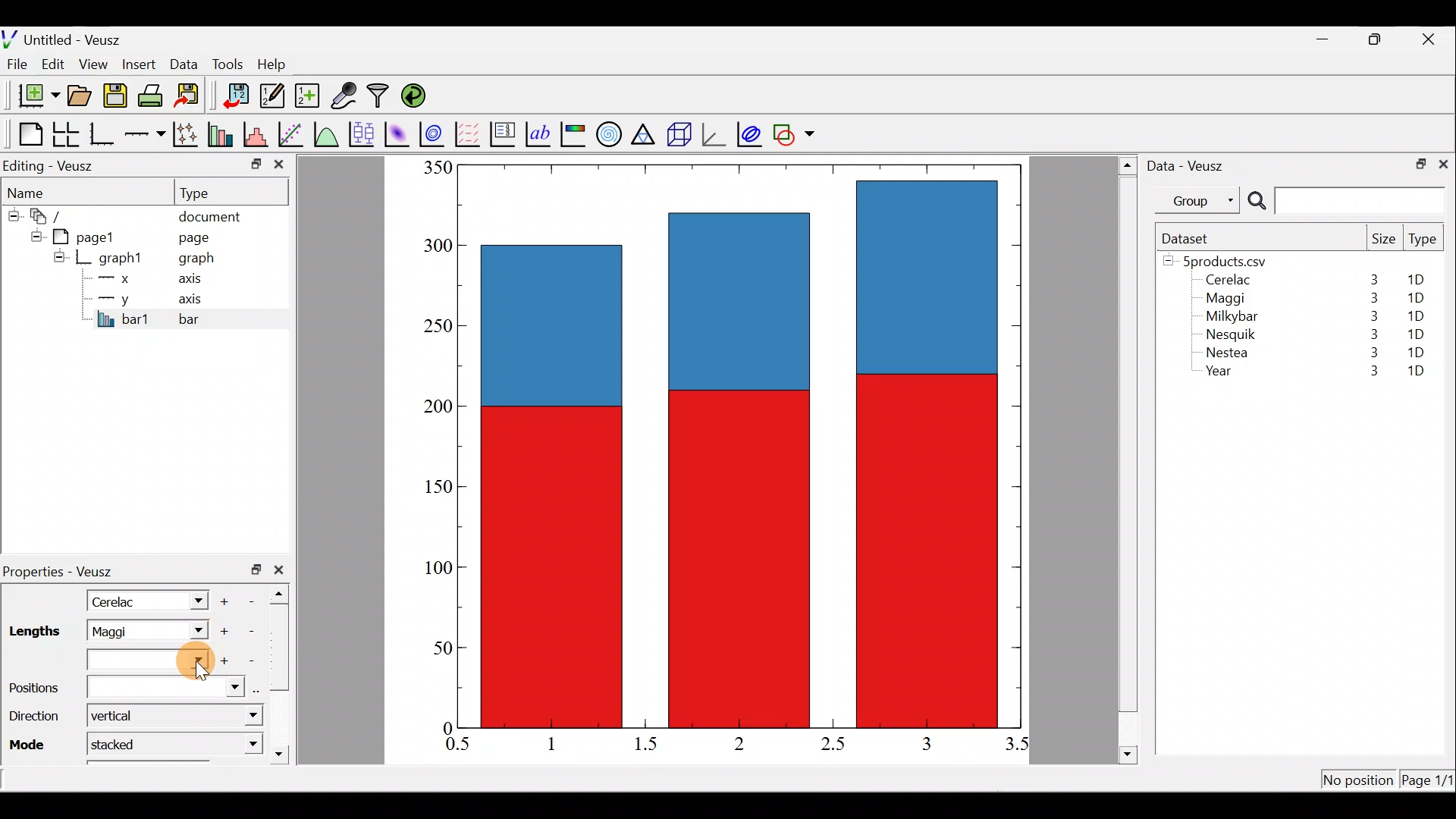 Image resolution: width=1456 pixels, height=819 pixels. I want to click on 1, so click(563, 743).